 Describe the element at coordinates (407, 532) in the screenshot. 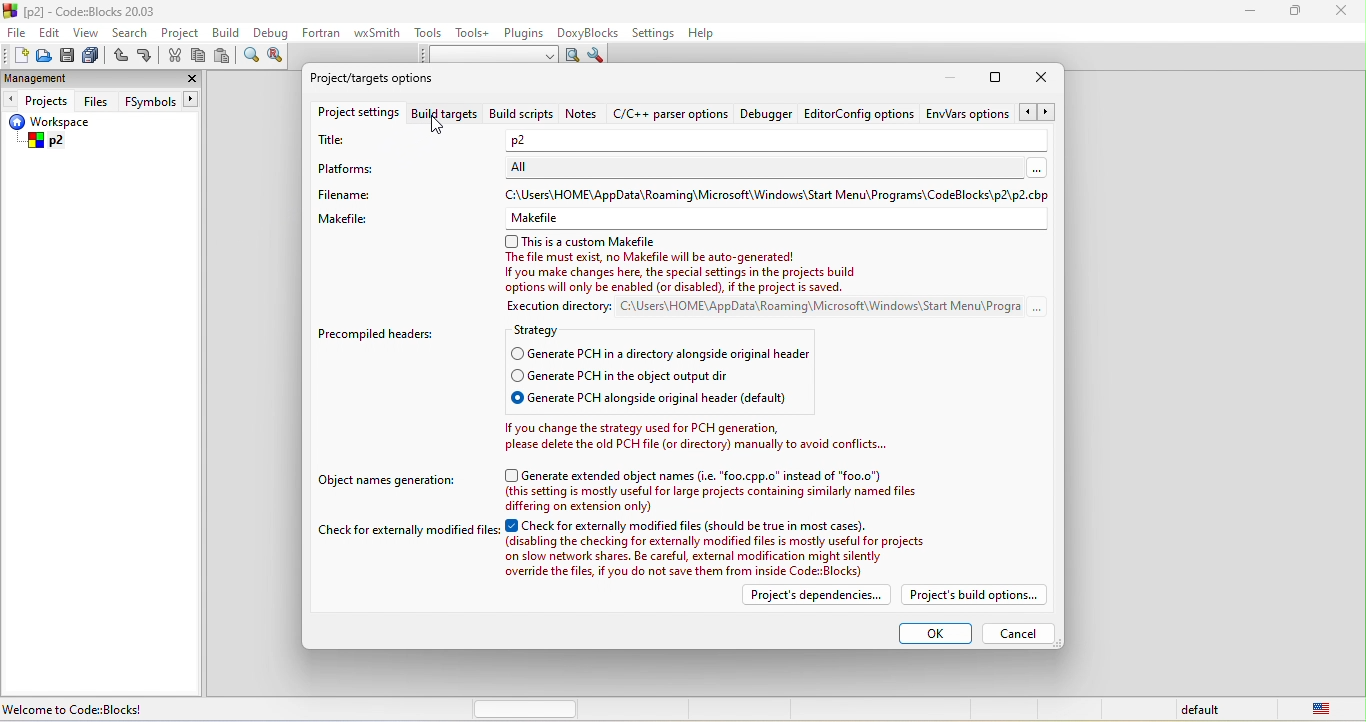

I see `check for externally modified files` at that location.